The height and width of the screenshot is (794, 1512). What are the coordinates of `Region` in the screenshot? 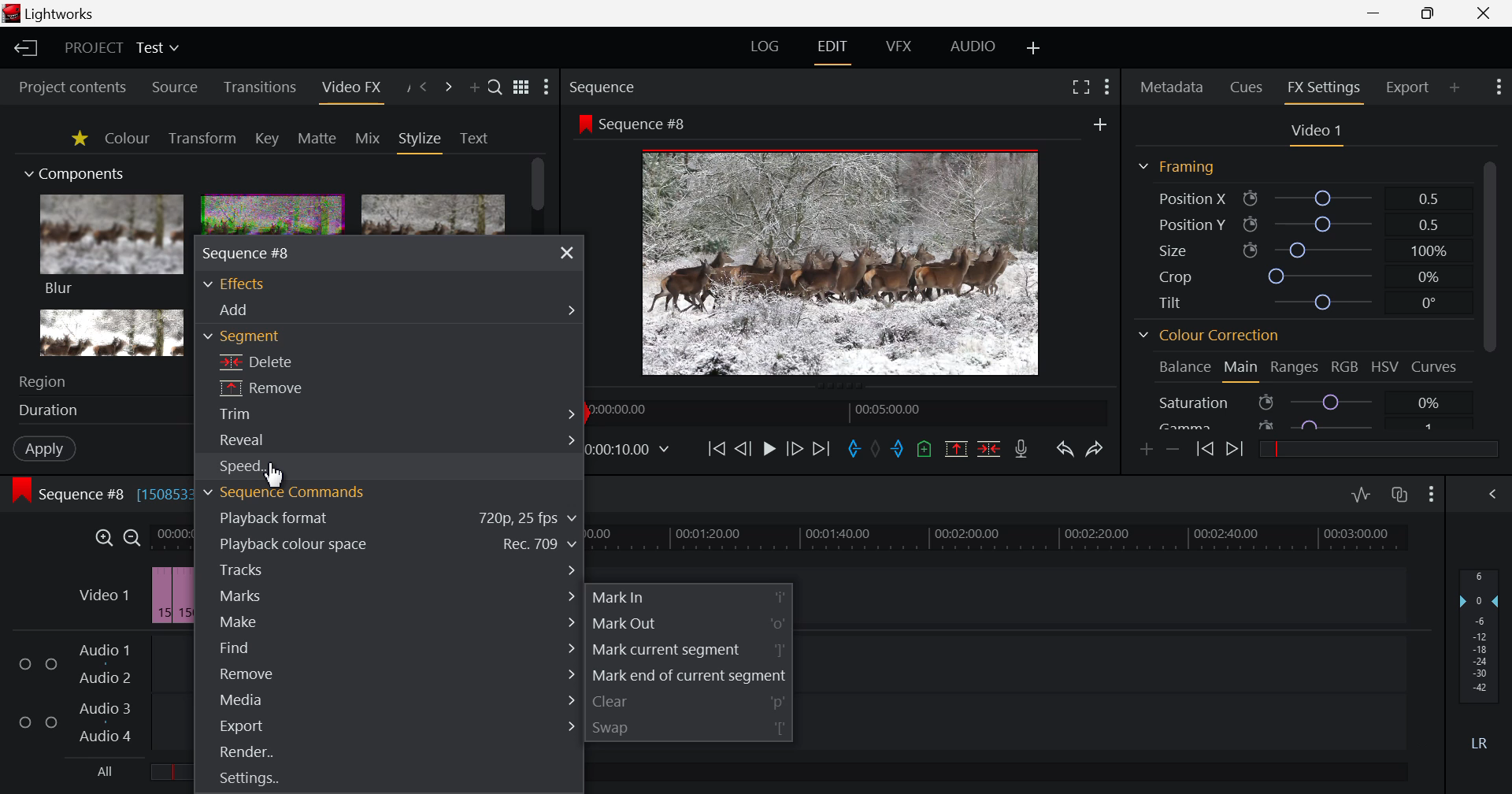 It's located at (91, 382).